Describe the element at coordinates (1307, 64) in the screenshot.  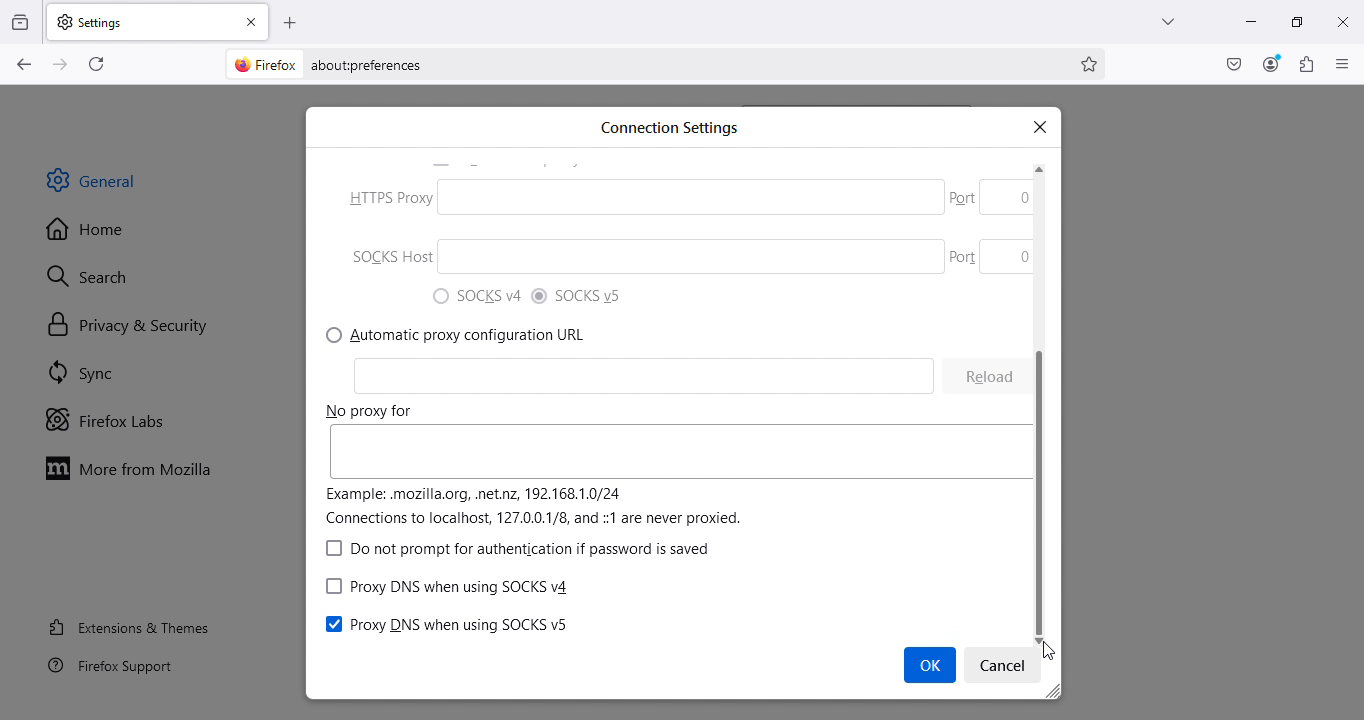
I see `Extensions` at that location.